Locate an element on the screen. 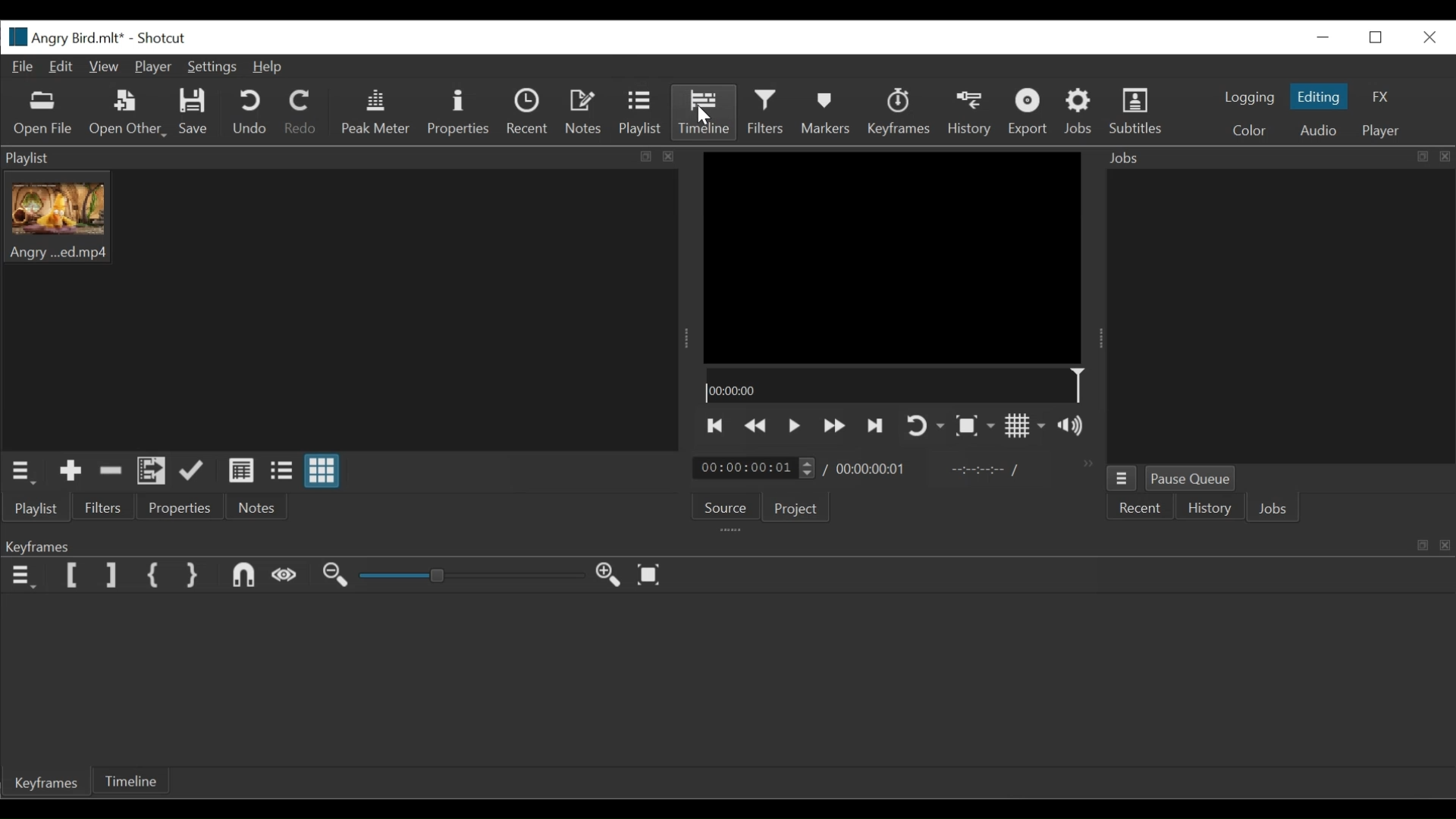  Recent is located at coordinates (1143, 508).